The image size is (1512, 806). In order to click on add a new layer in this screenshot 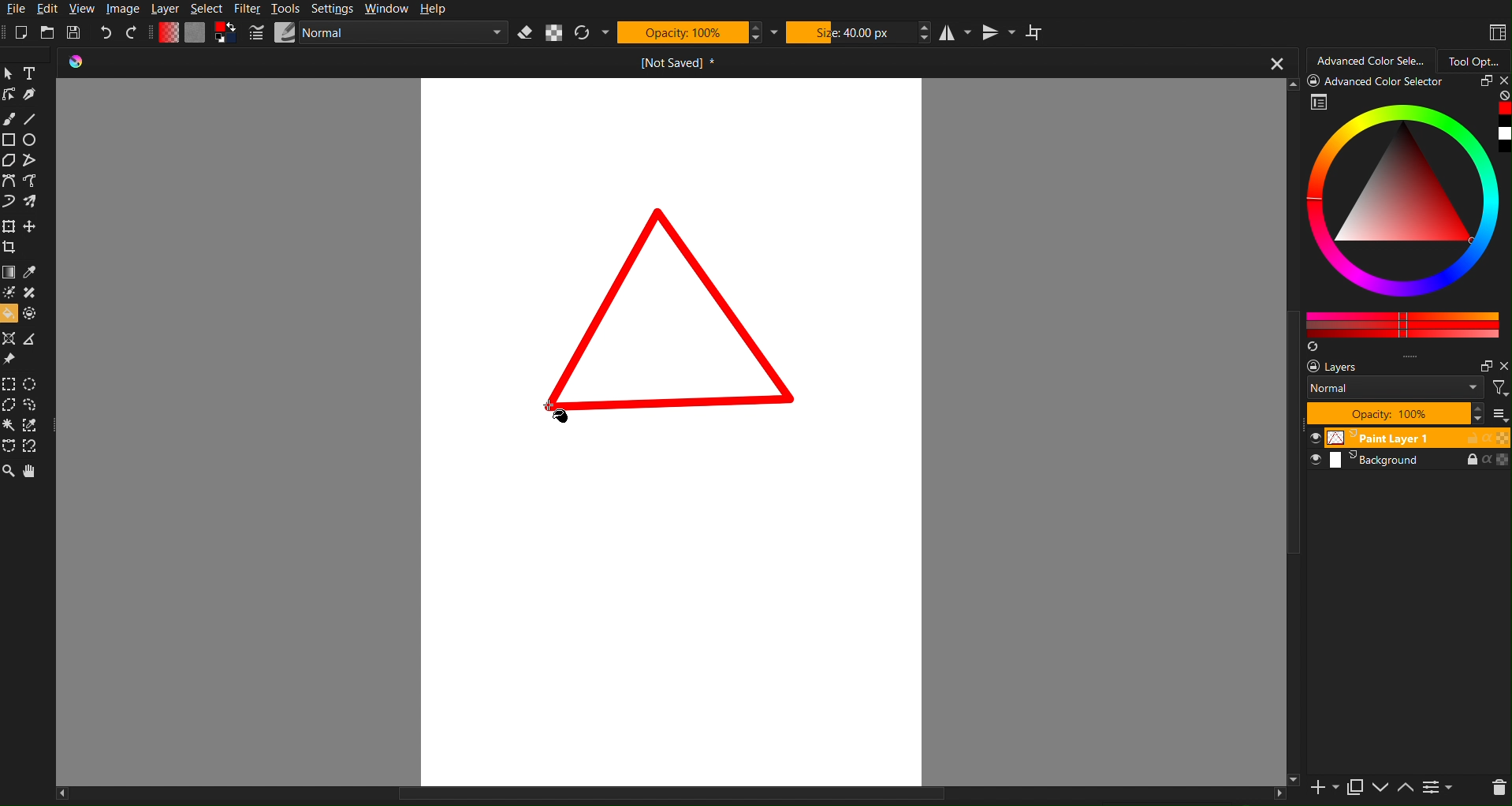, I will do `click(1322, 789)`.